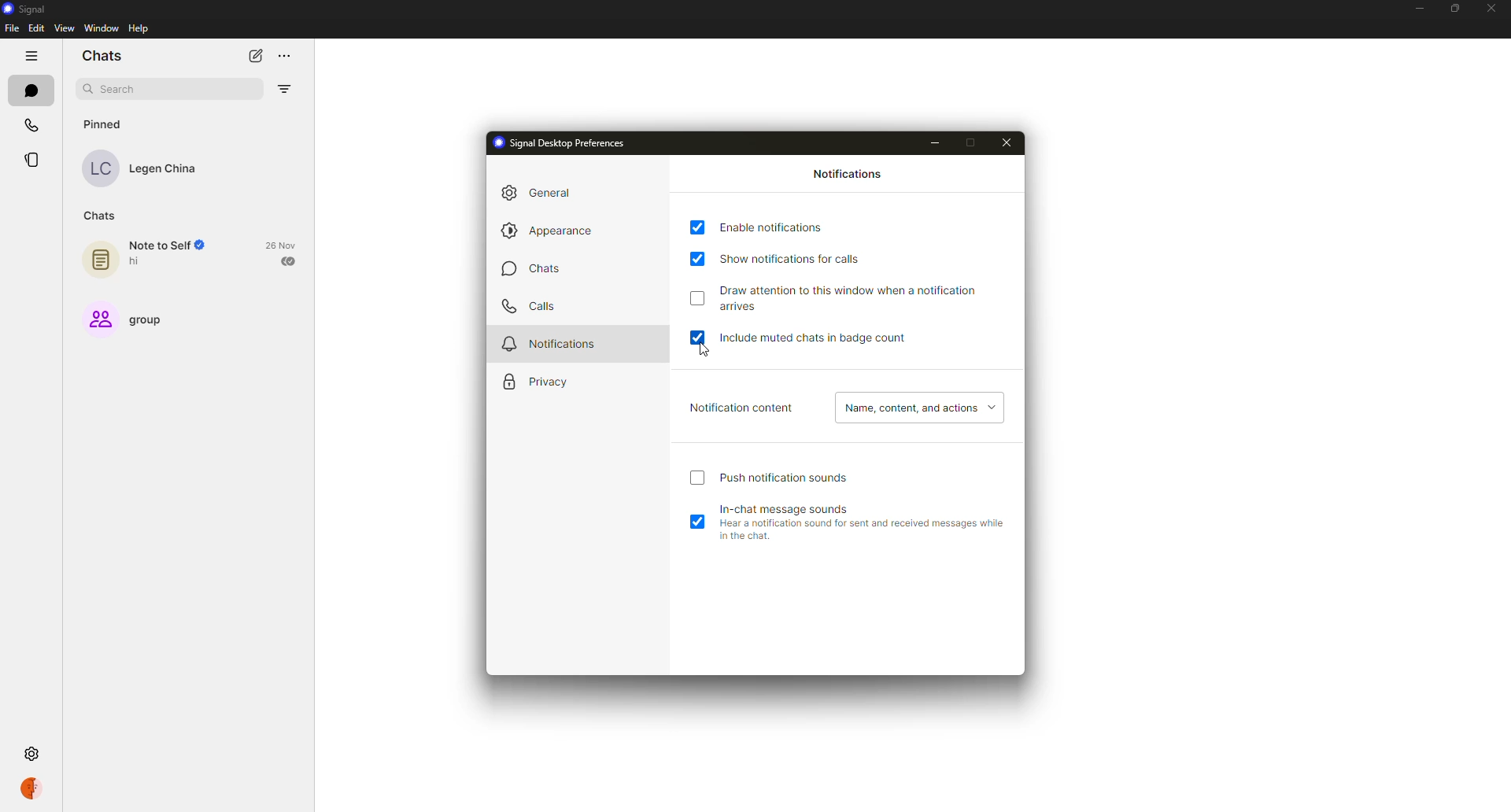 The image size is (1511, 812). What do you see at coordinates (281, 243) in the screenshot?
I see `26 Nov` at bounding box center [281, 243].